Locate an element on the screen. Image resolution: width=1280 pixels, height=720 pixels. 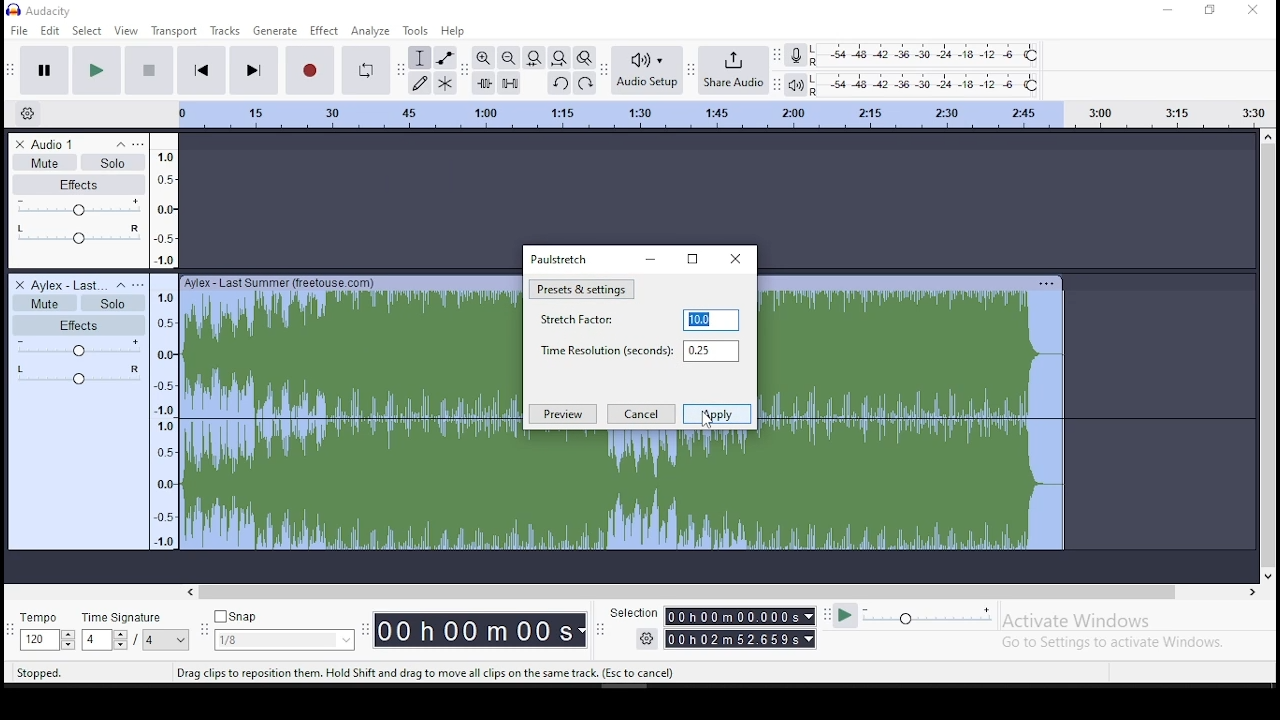
playback meter is located at coordinates (926, 86).